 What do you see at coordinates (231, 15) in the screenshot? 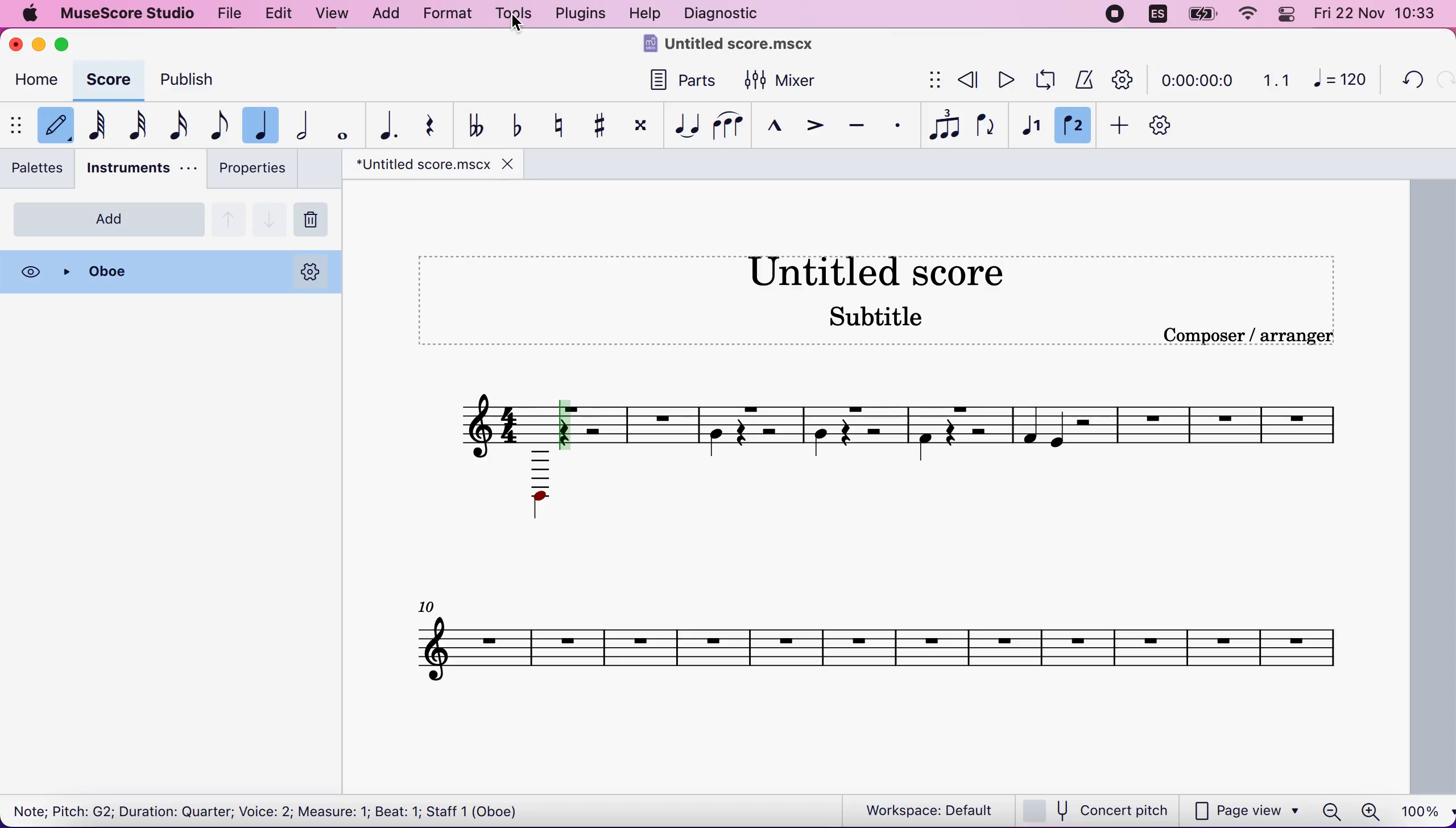
I see `file` at bounding box center [231, 15].